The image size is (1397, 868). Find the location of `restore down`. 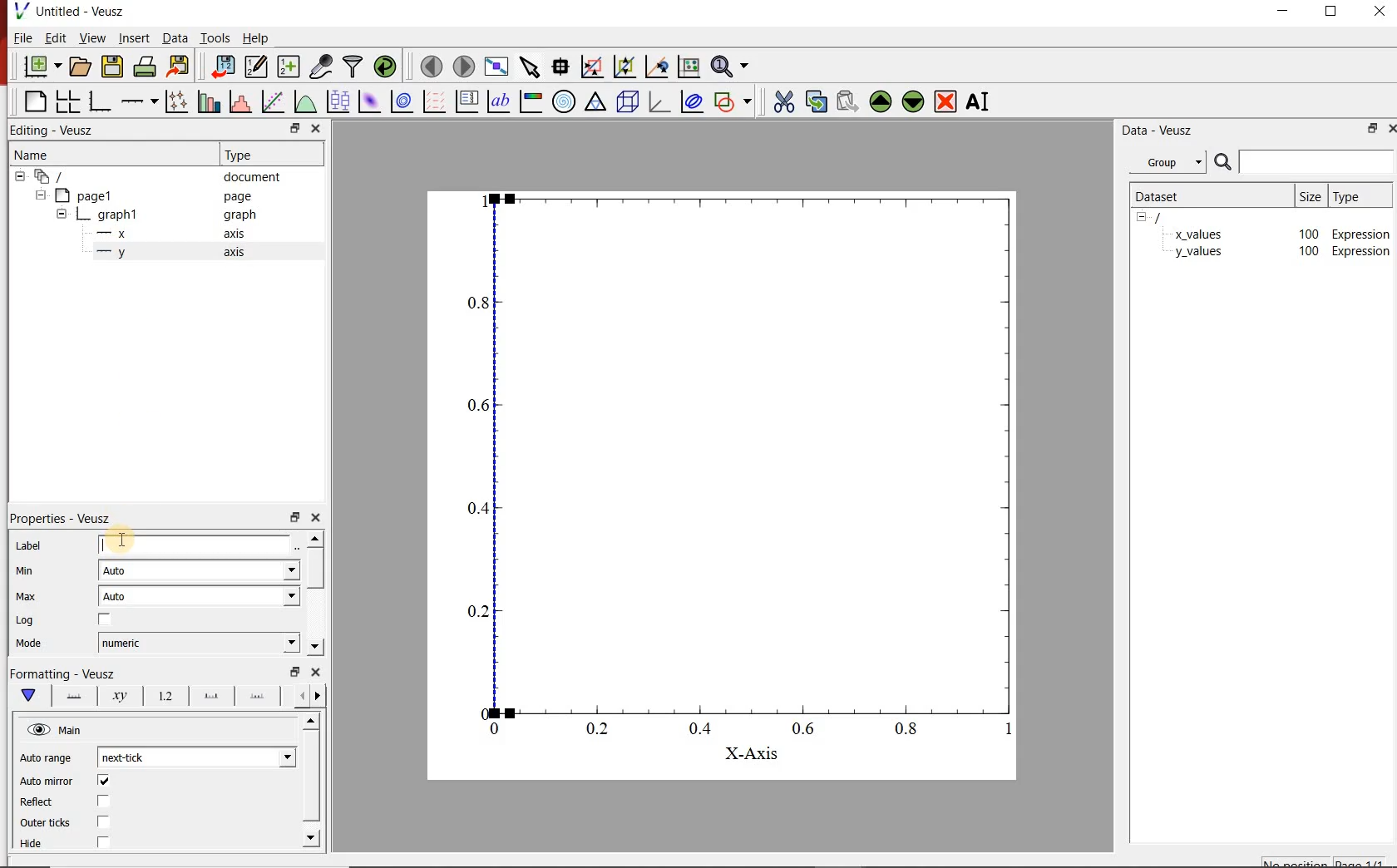

restore down is located at coordinates (295, 515).